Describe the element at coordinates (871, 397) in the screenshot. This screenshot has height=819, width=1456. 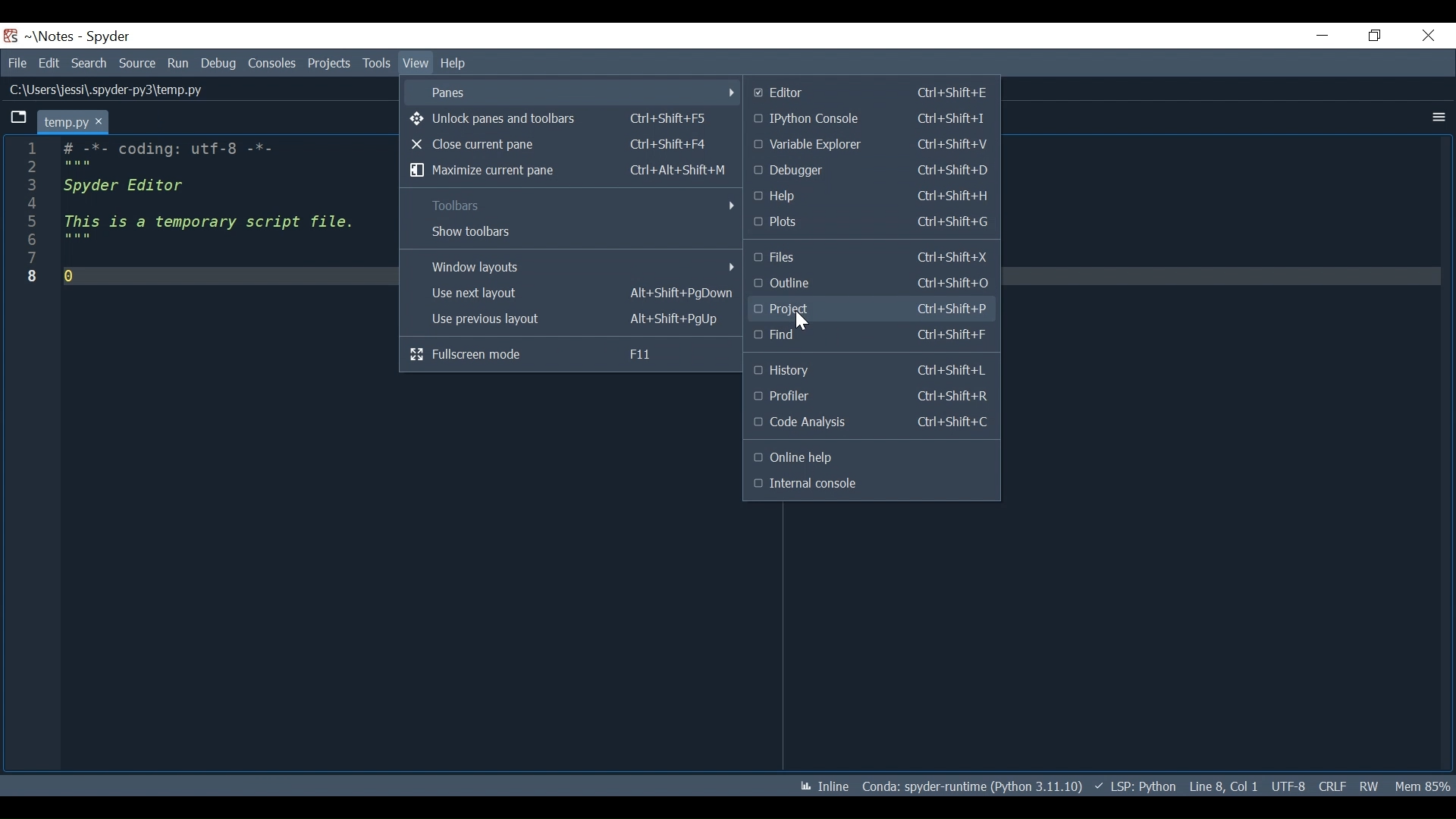
I see `Profiler` at that location.